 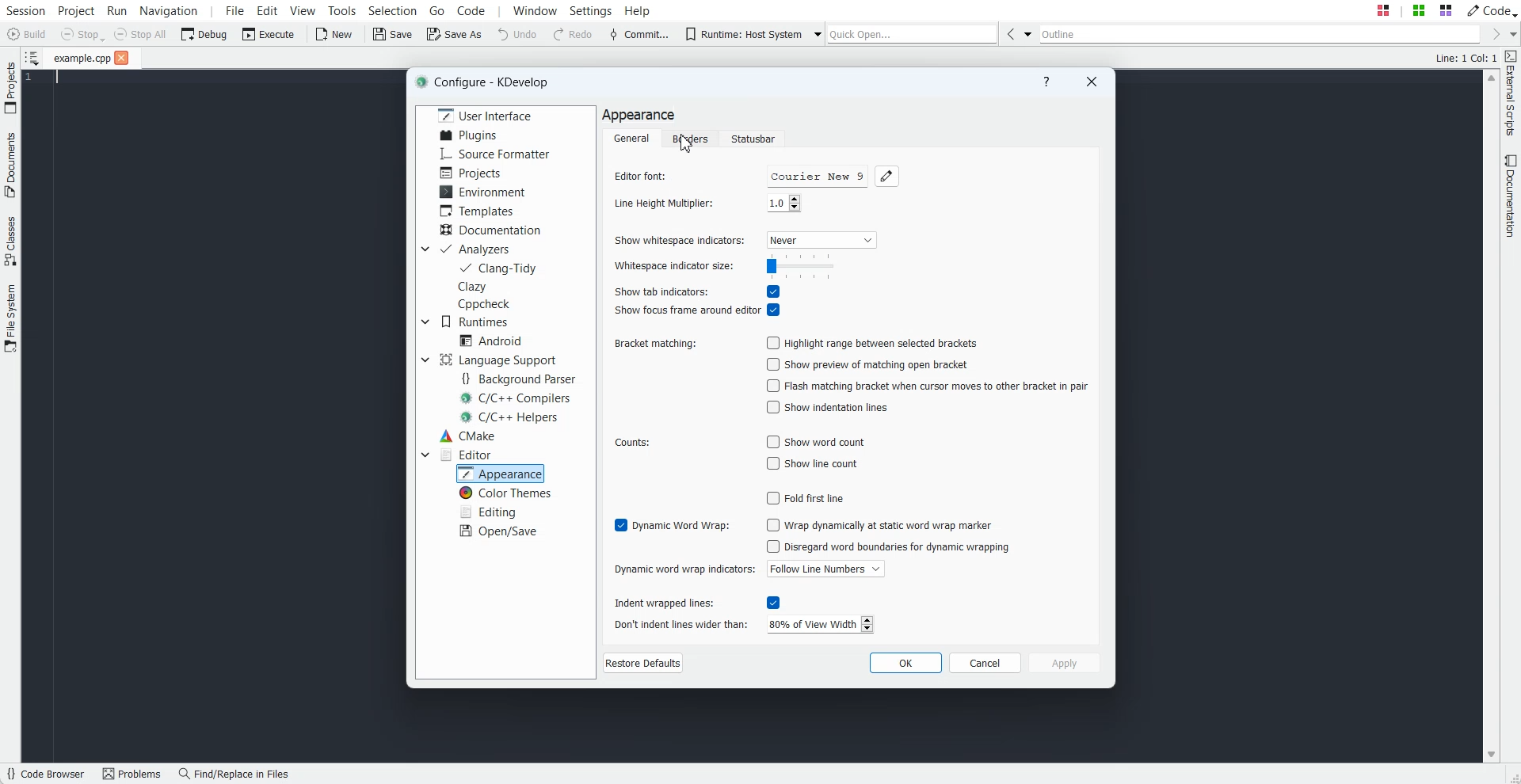 What do you see at coordinates (632, 442) in the screenshot?
I see `Counts` at bounding box center [632, 442].